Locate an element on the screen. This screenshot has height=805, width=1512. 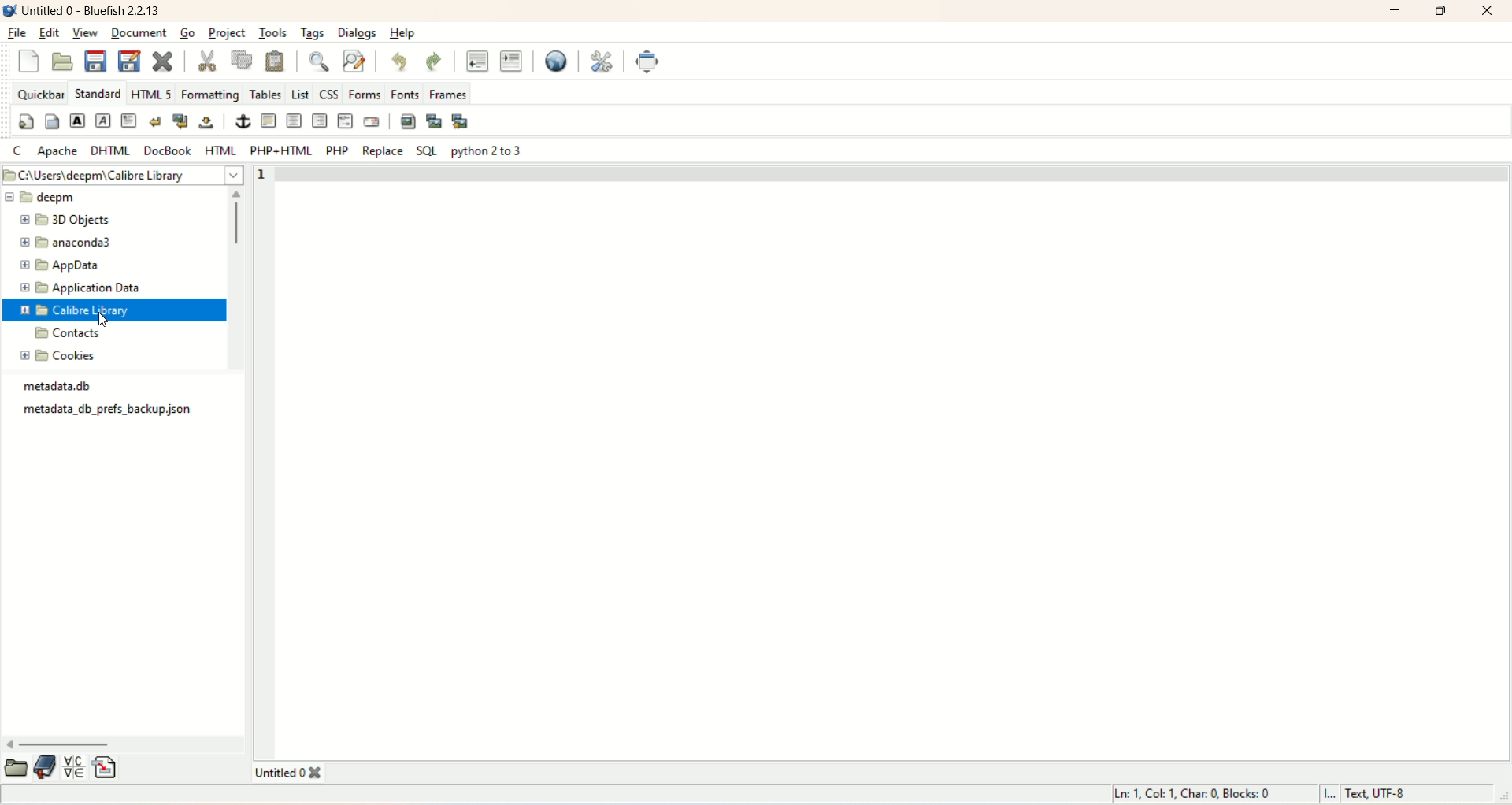
body is located at coordinates (51, 120).